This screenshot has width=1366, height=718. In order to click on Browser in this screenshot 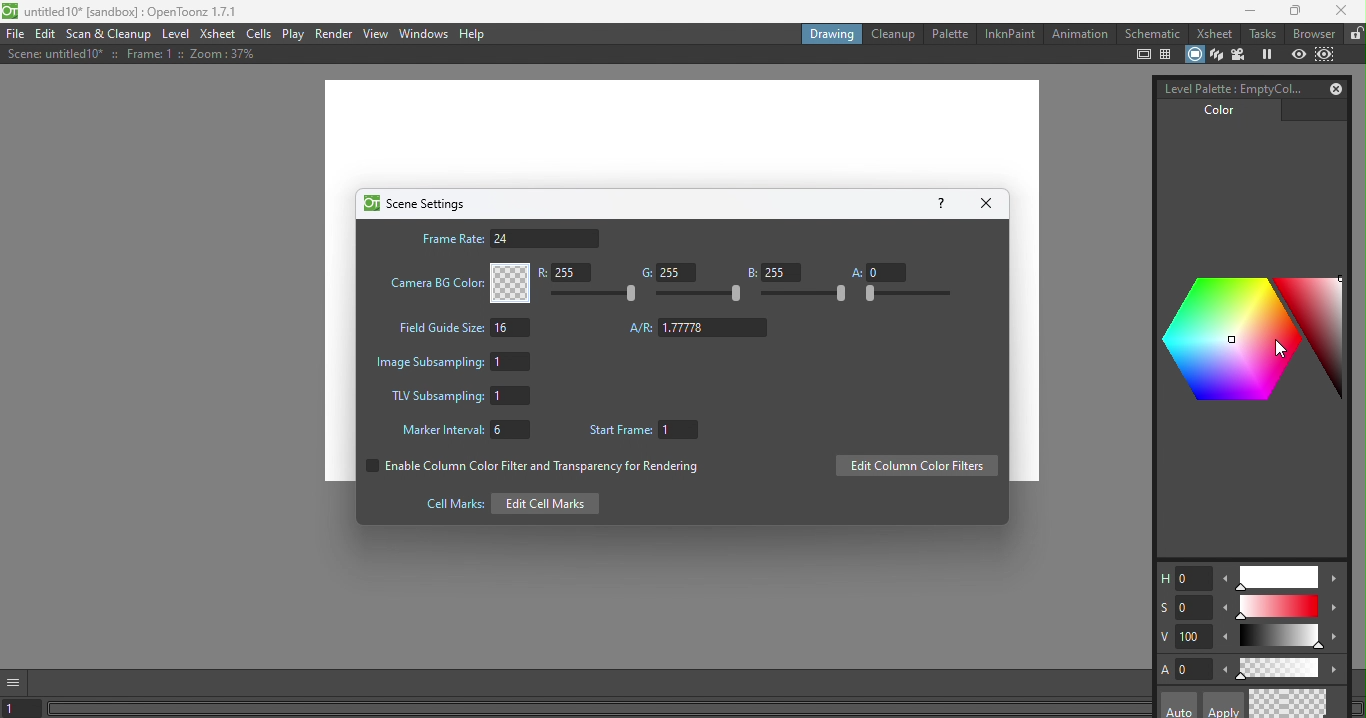, I will do `click(1312, 33)`.